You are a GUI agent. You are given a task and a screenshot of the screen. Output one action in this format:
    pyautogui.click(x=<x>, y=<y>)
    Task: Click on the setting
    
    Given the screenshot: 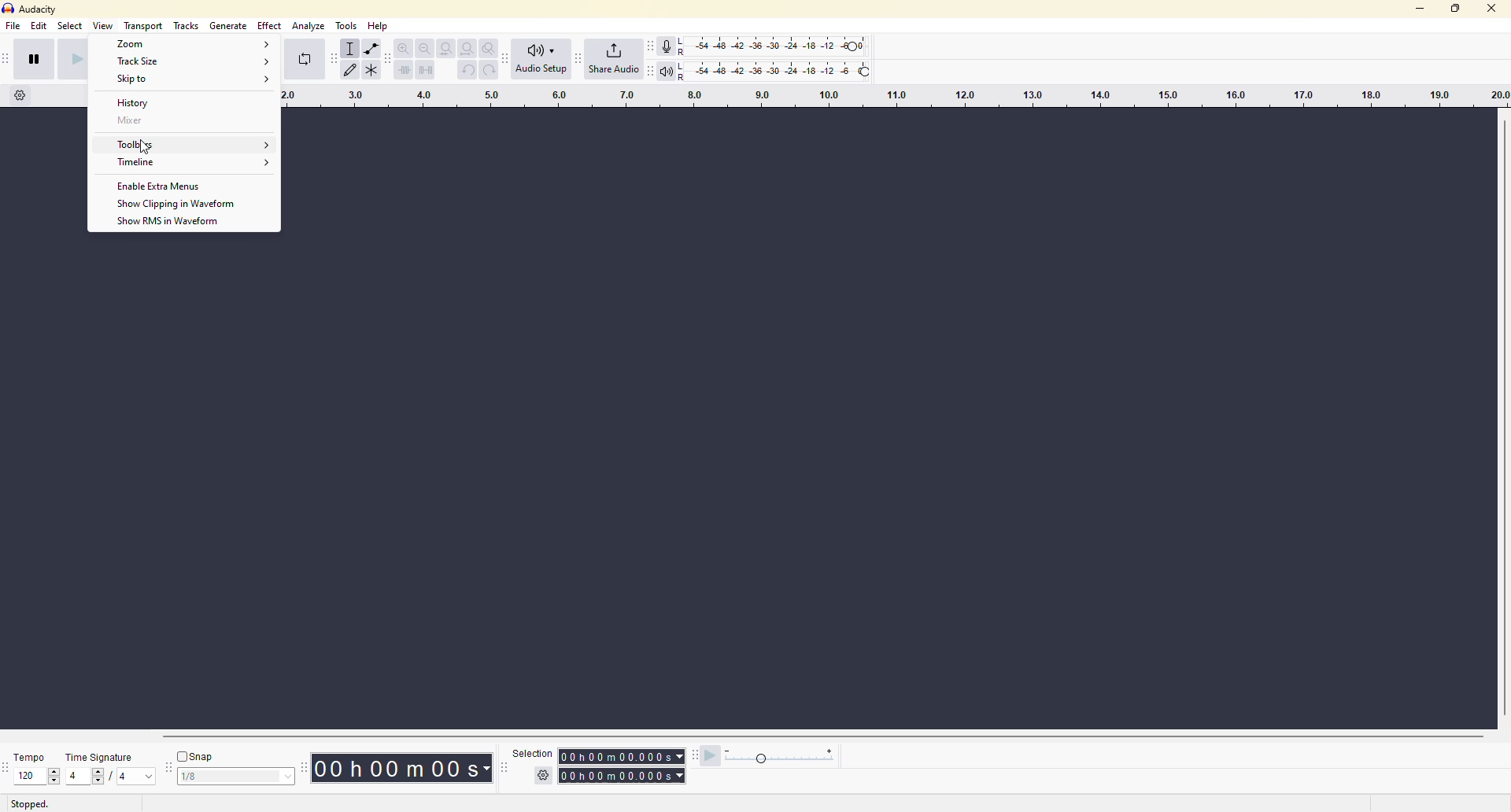 What is the action you would take?
    pyautogui.click(x=540, y=776)
    